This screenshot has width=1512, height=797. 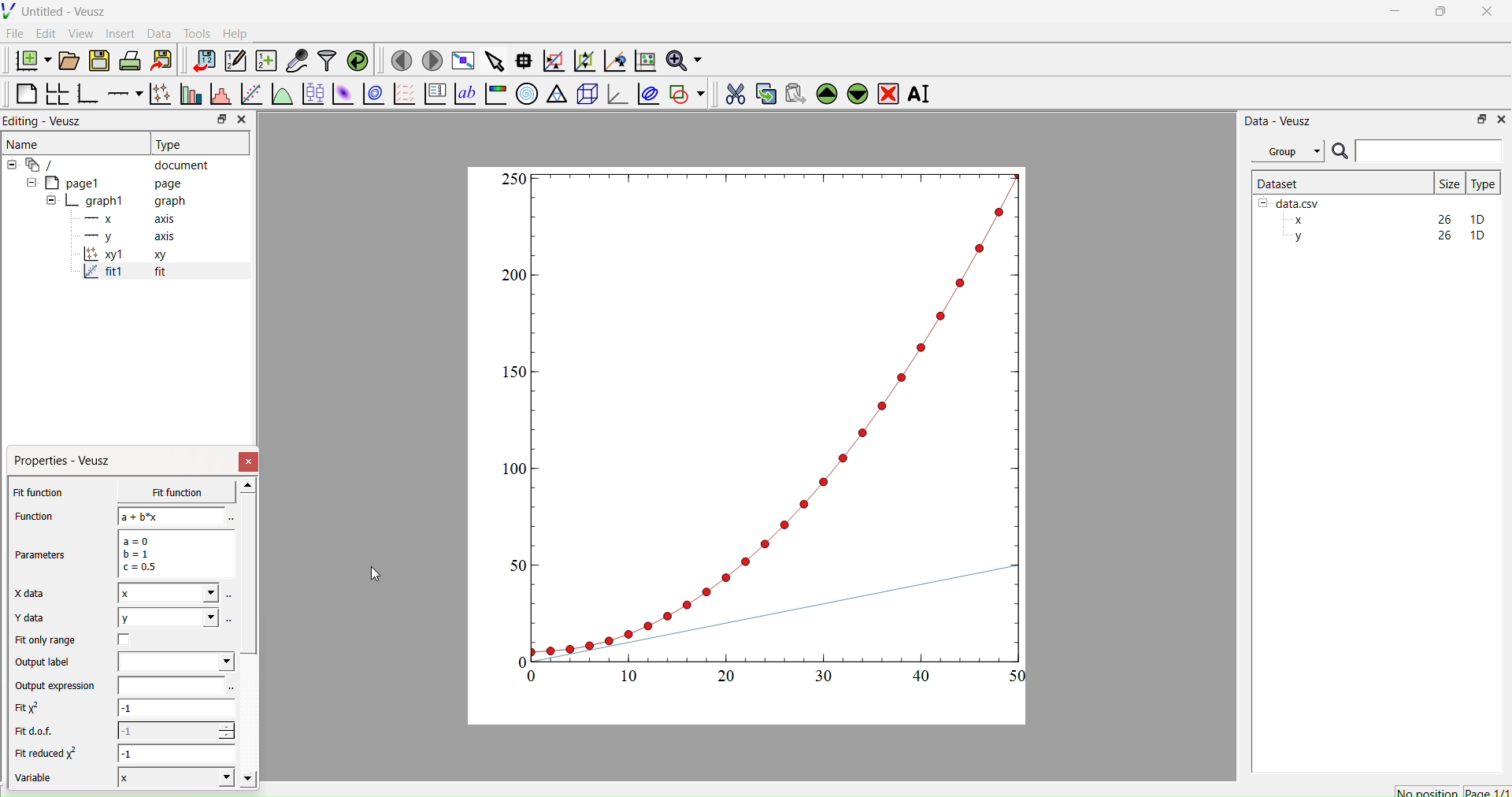 I want to click on Function, so click(x=32, y=516).